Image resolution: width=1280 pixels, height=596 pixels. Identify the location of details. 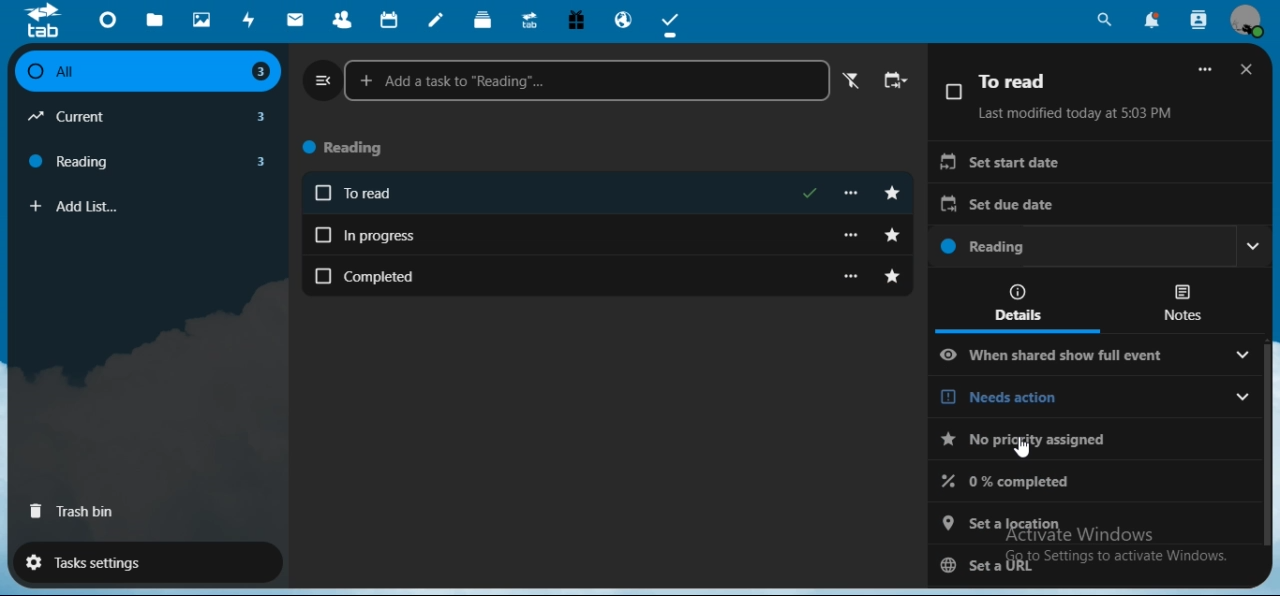
(1020, 301).